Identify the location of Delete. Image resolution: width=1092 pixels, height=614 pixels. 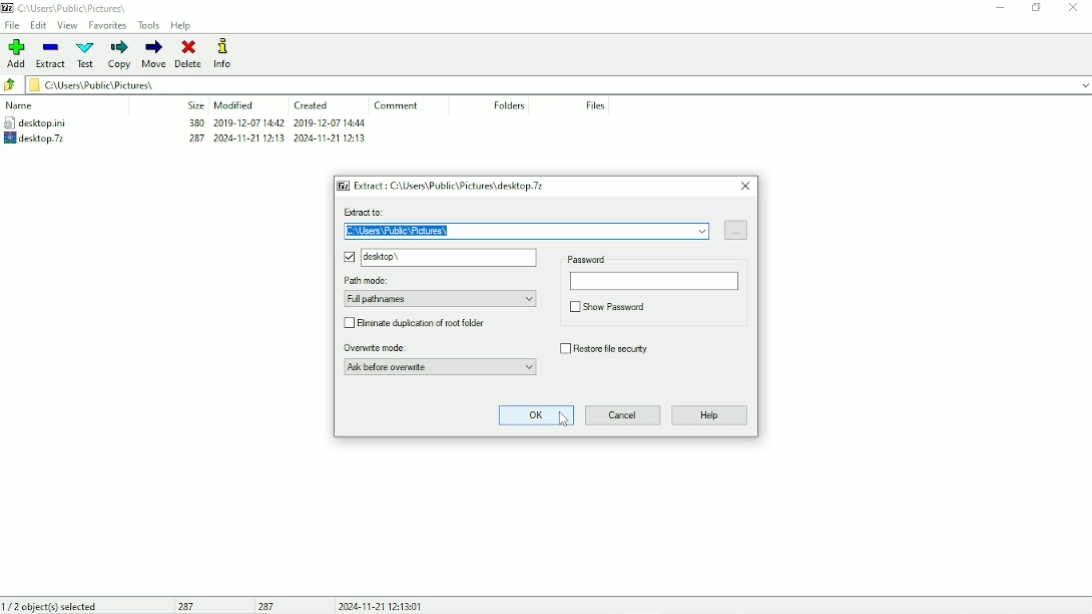
(188, 53).